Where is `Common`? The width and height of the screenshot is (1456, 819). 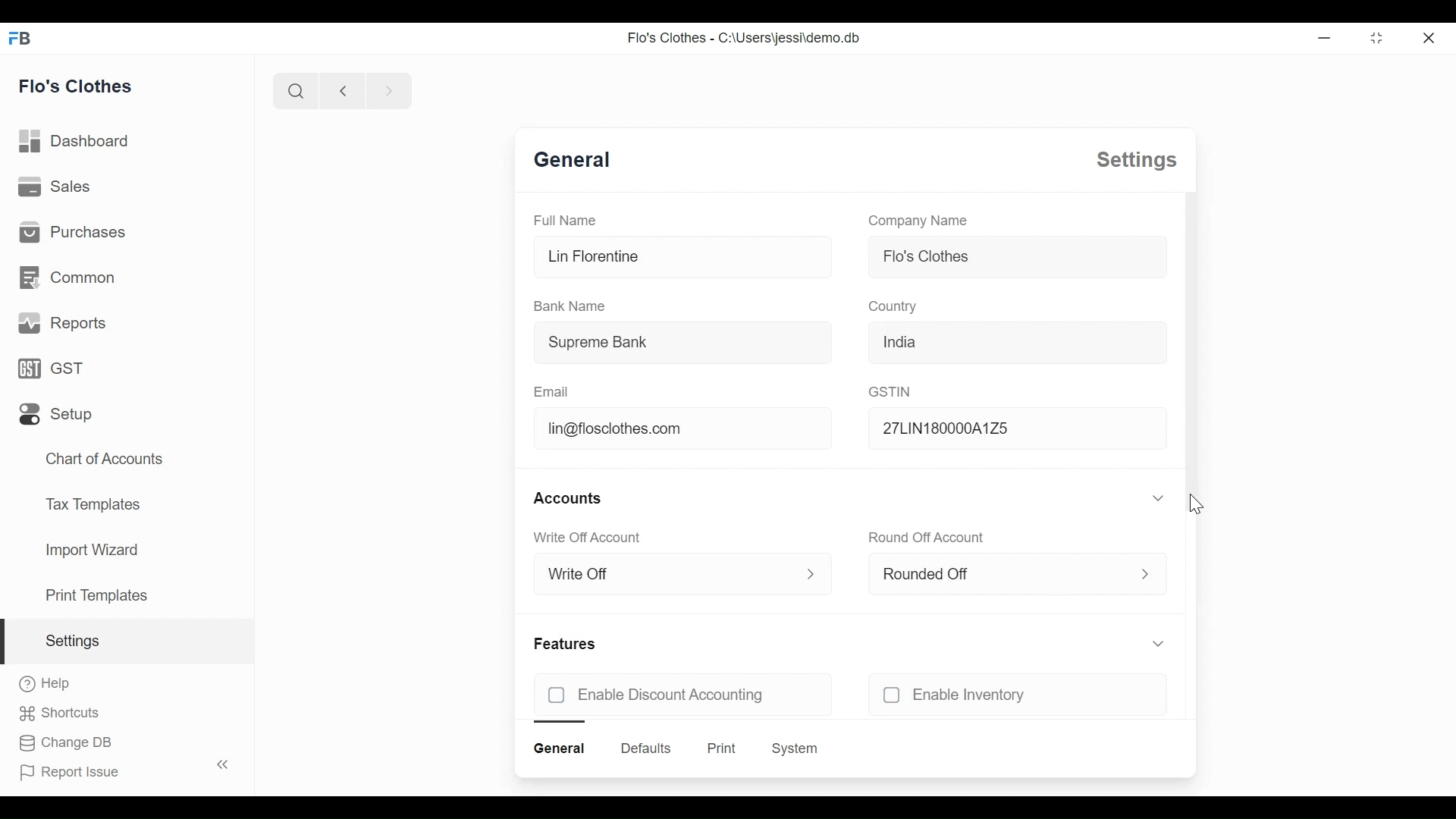 Common is located at coordinates (70, 280).